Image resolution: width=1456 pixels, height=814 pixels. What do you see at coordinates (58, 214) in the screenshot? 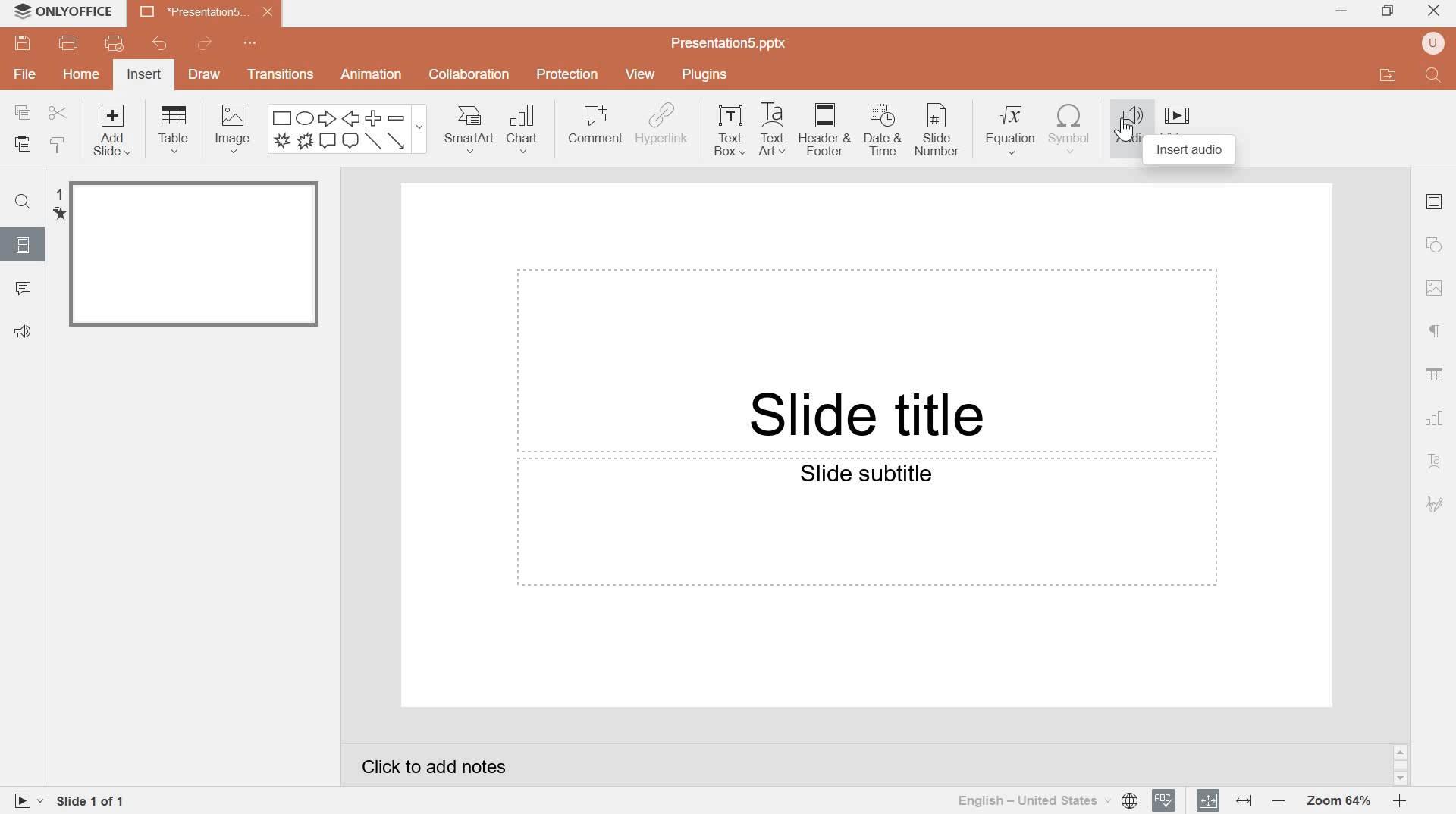
I see `star` at bounding box center [58, 214].